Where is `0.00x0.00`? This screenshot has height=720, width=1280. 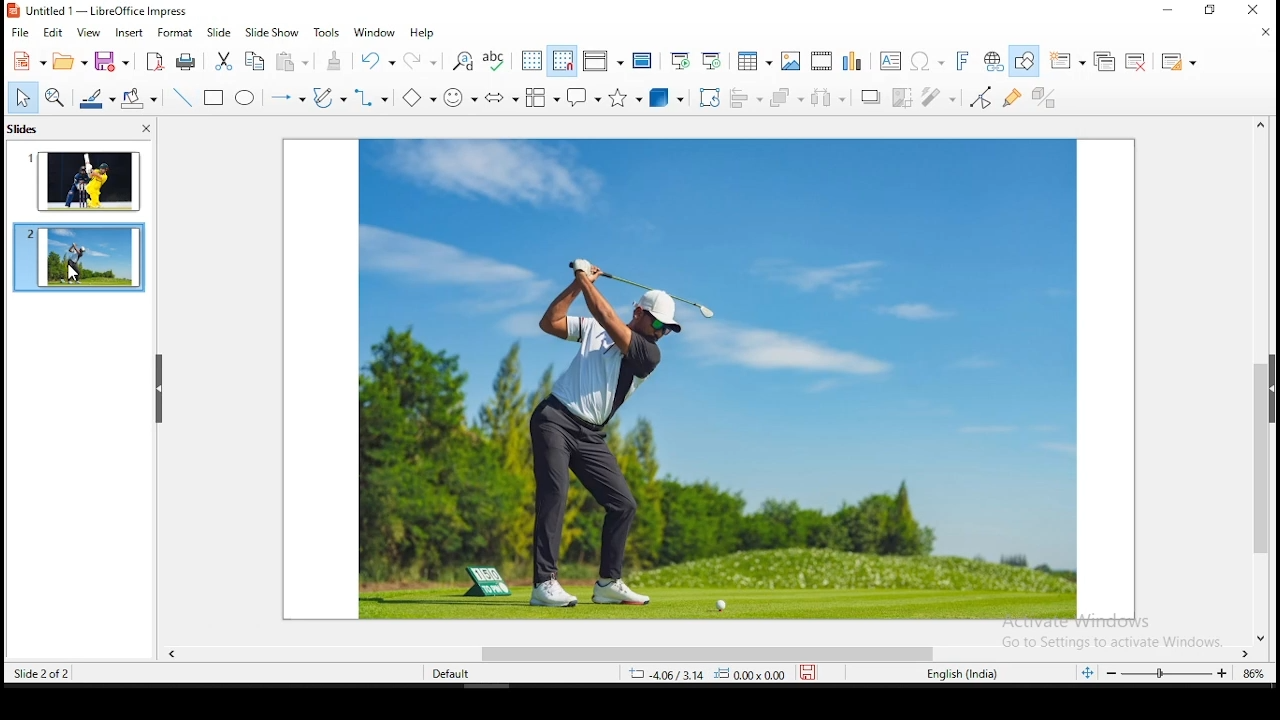 0.00x0.00 is located at coordinates (752, 674).